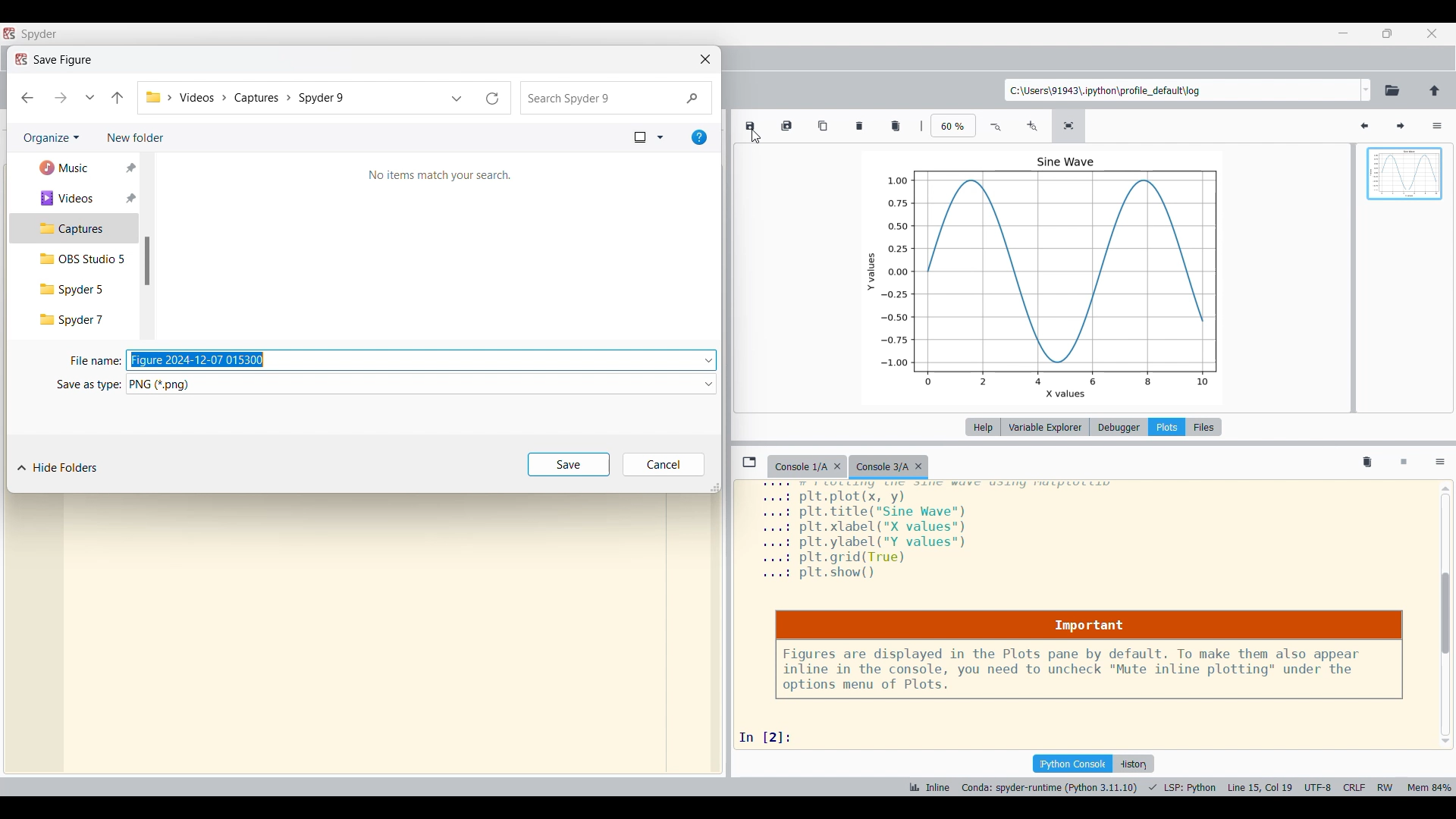 The height and width of the screenshot is (819, 1456). What do you see at coordinates (570, 464) in the screenshot?
I see `Save` at bounding box center [570, 464].